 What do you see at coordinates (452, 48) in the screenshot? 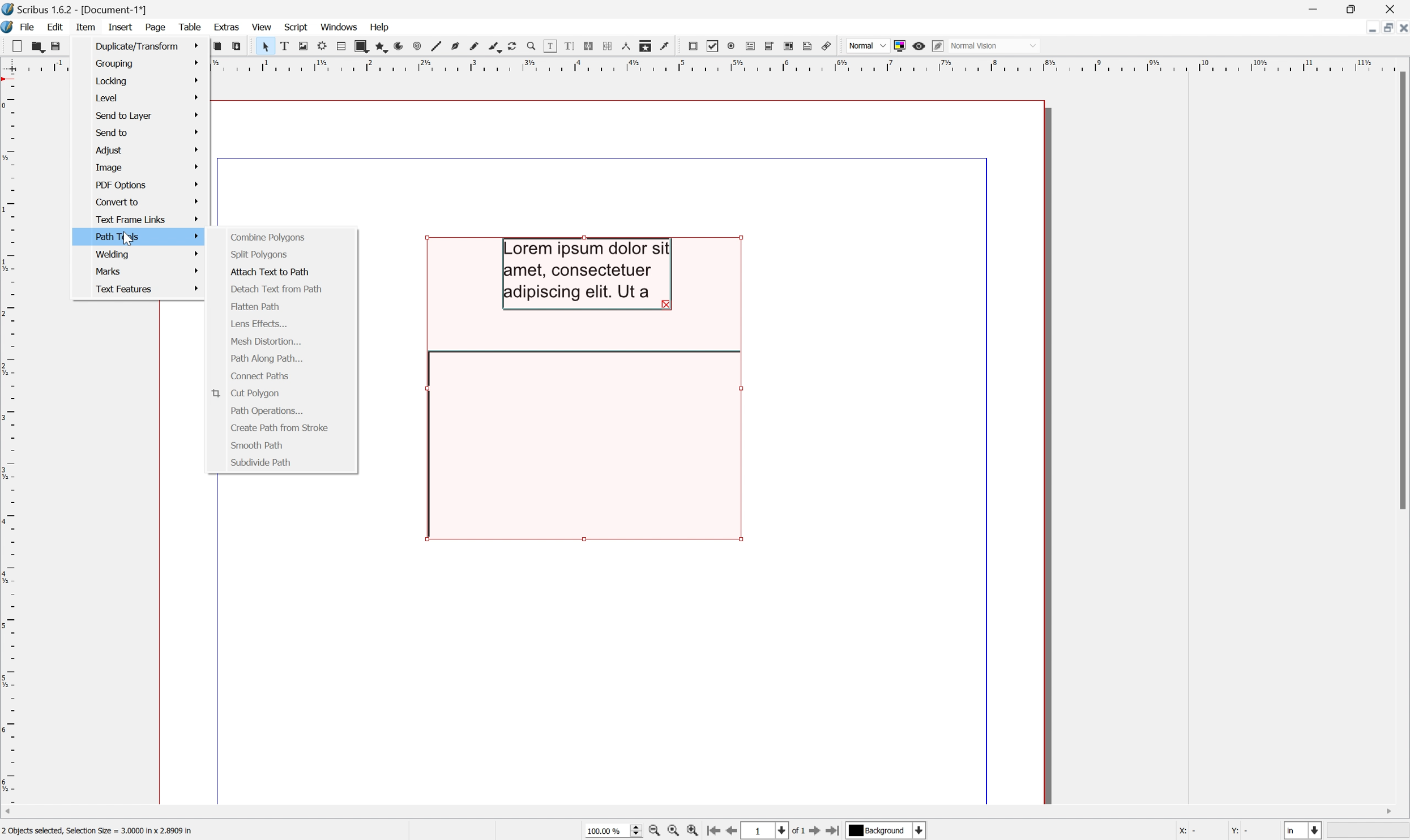
I see `Bezier curve` at bounding box center [452, 48].